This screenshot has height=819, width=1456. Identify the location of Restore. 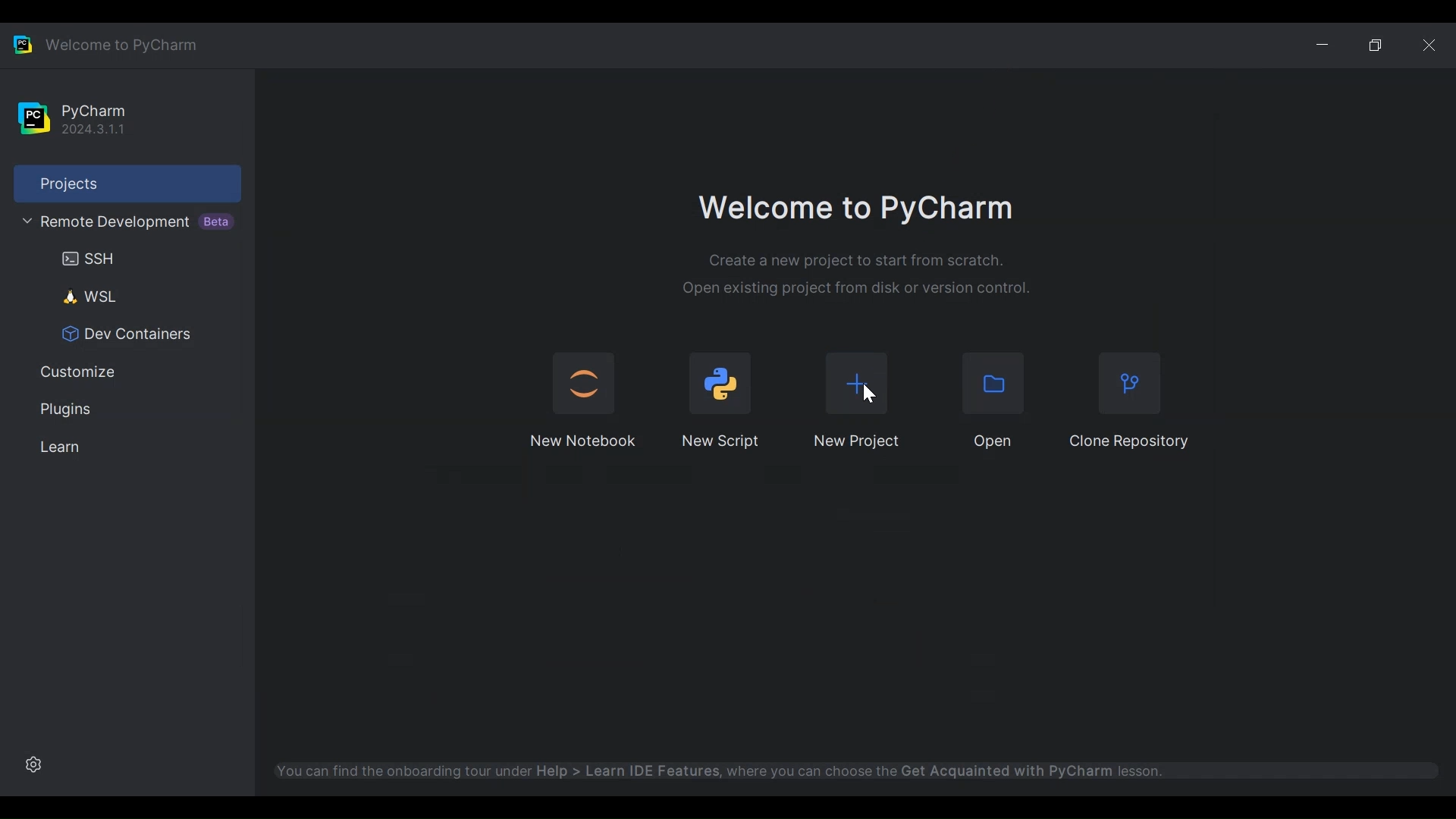
(1378, 44).